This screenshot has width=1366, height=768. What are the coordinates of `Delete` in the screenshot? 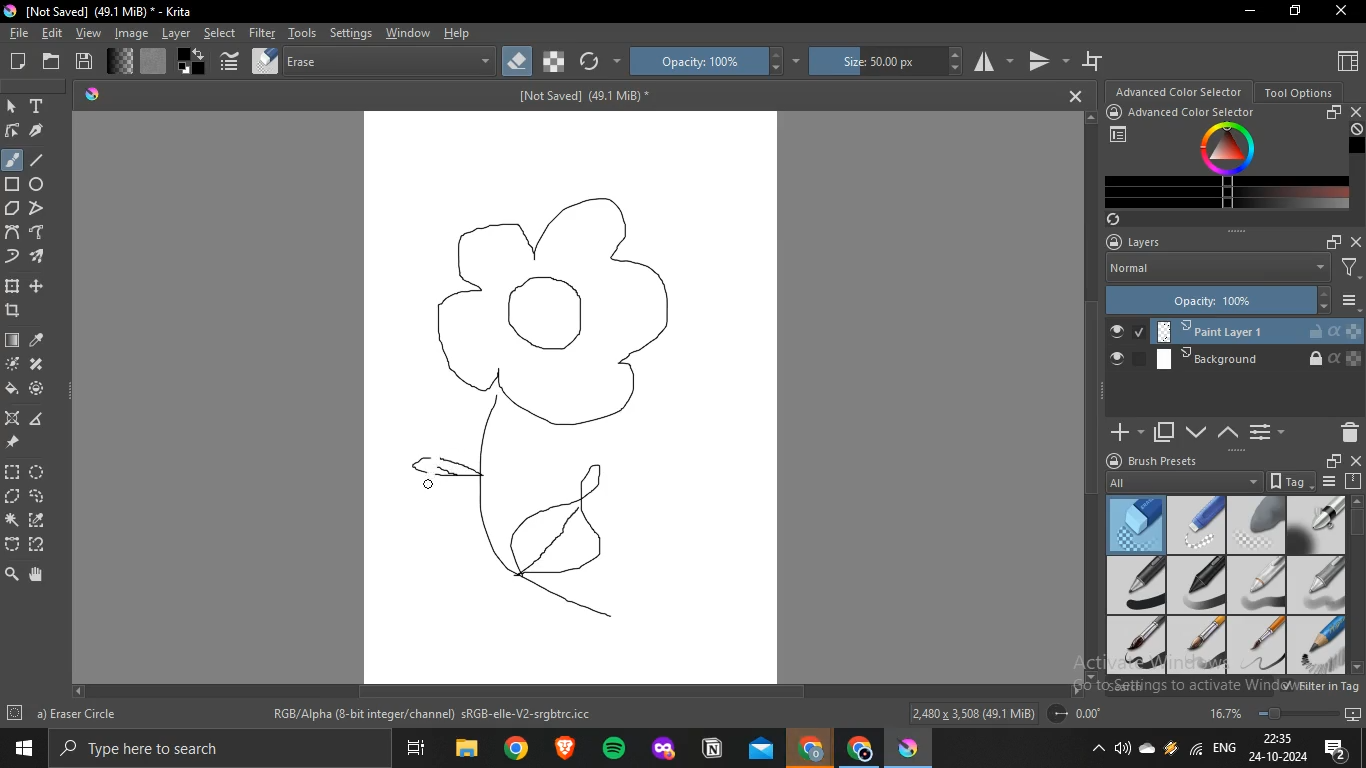 It's located at (1345, 433).